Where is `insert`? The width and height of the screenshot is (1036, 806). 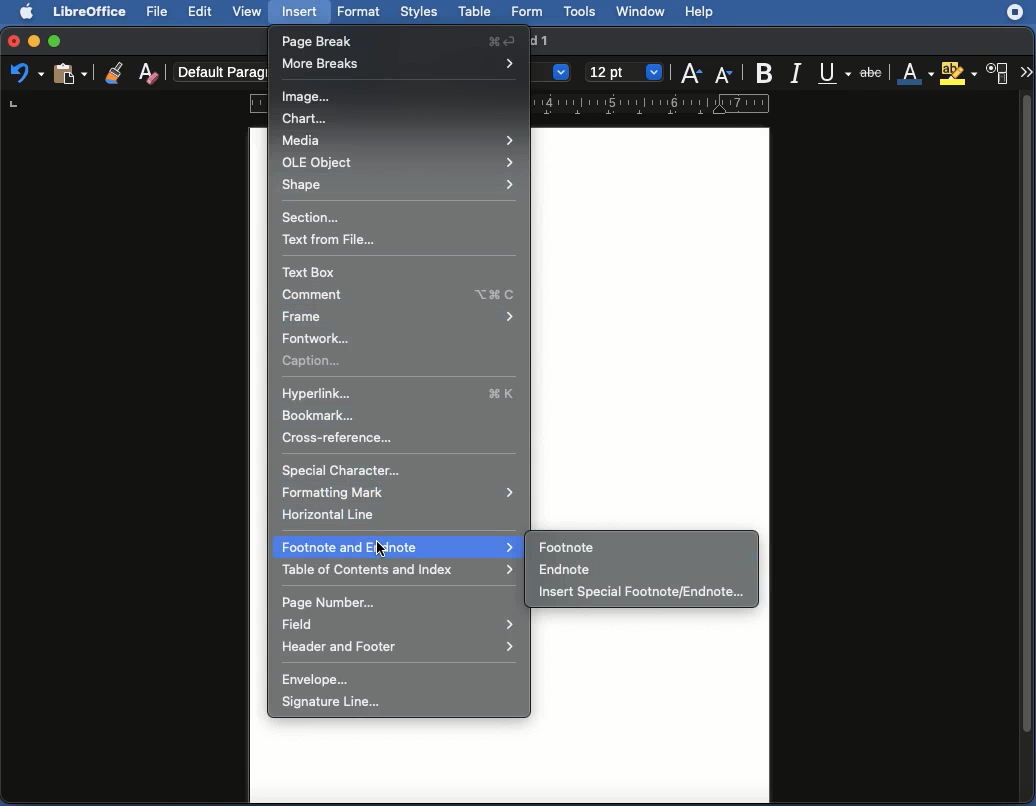
insert is located at coordinates (300, 12).